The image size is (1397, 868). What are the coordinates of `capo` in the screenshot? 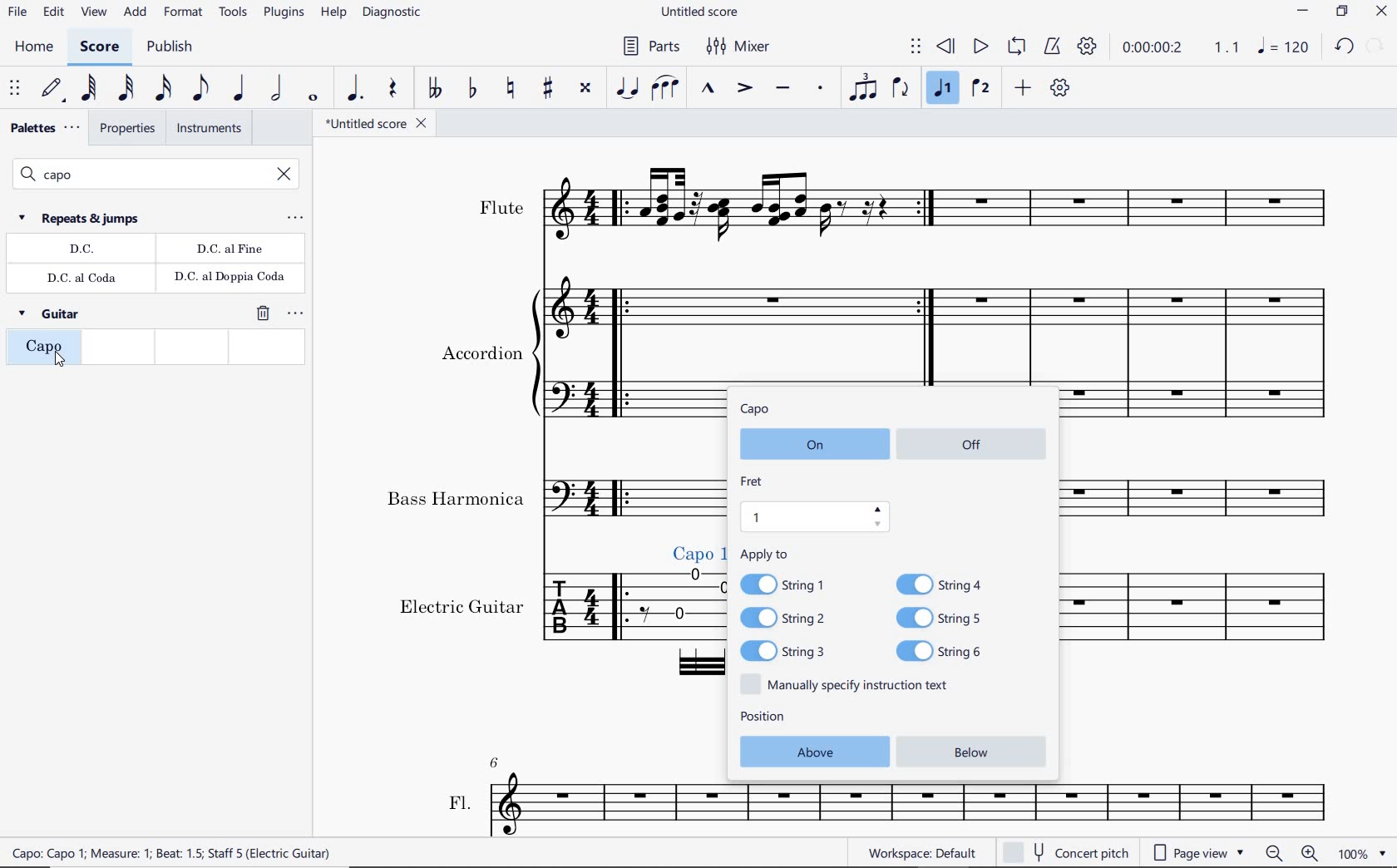 It's located at (758, 410).